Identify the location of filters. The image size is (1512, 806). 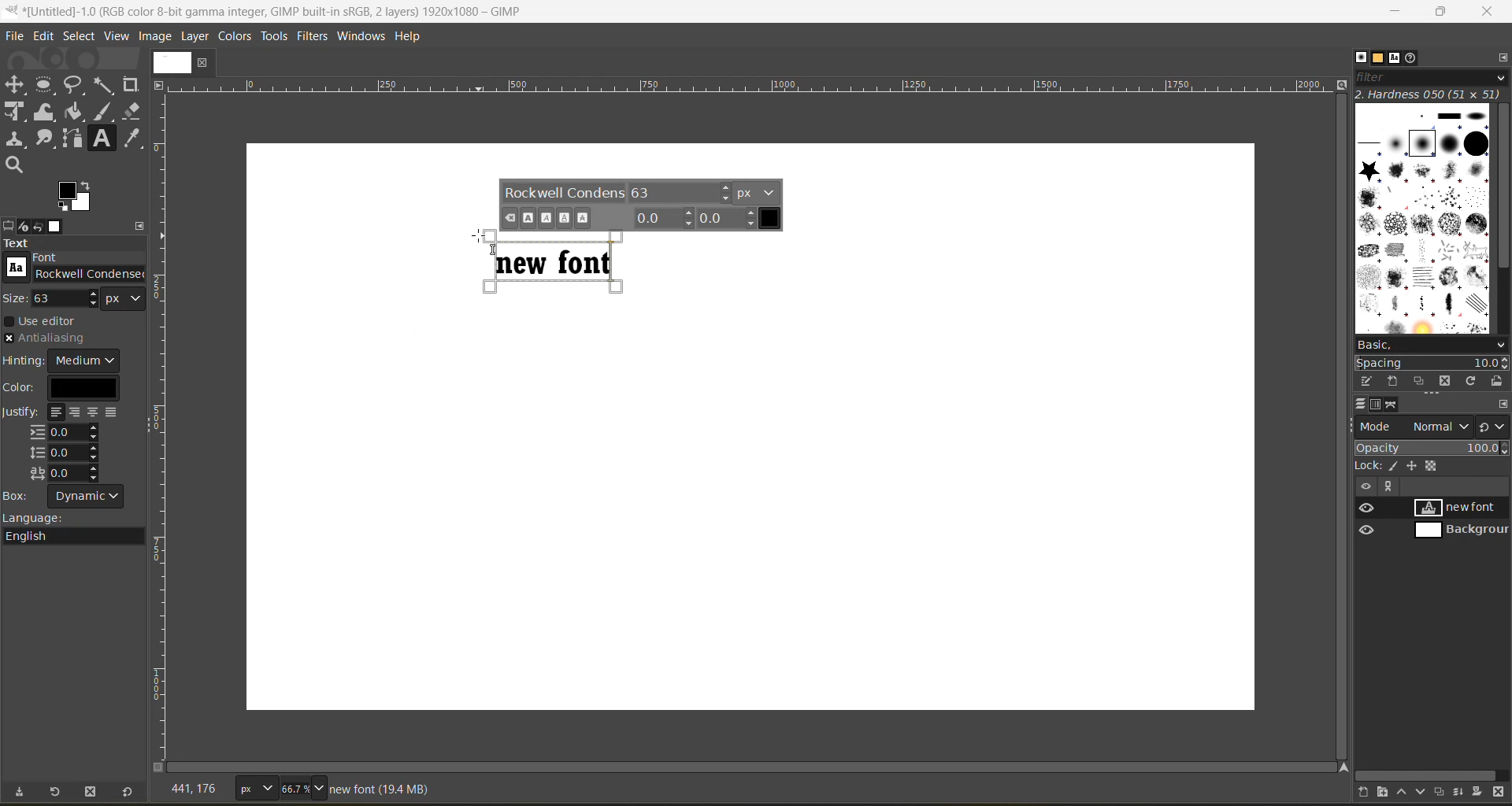
(317, 37).